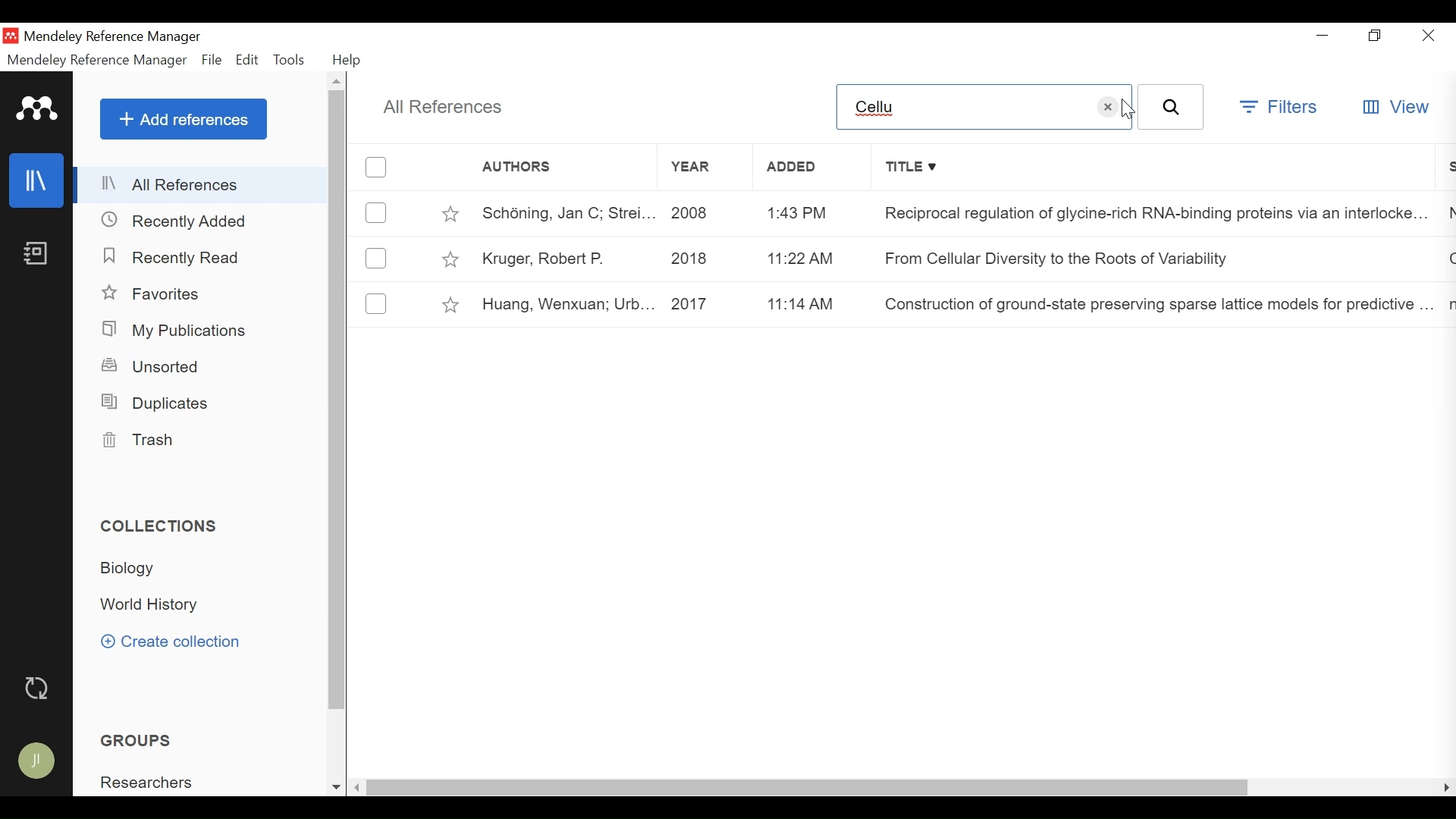 The image size is (1456, 819). I want to click on (un)select, so click(377, 212).